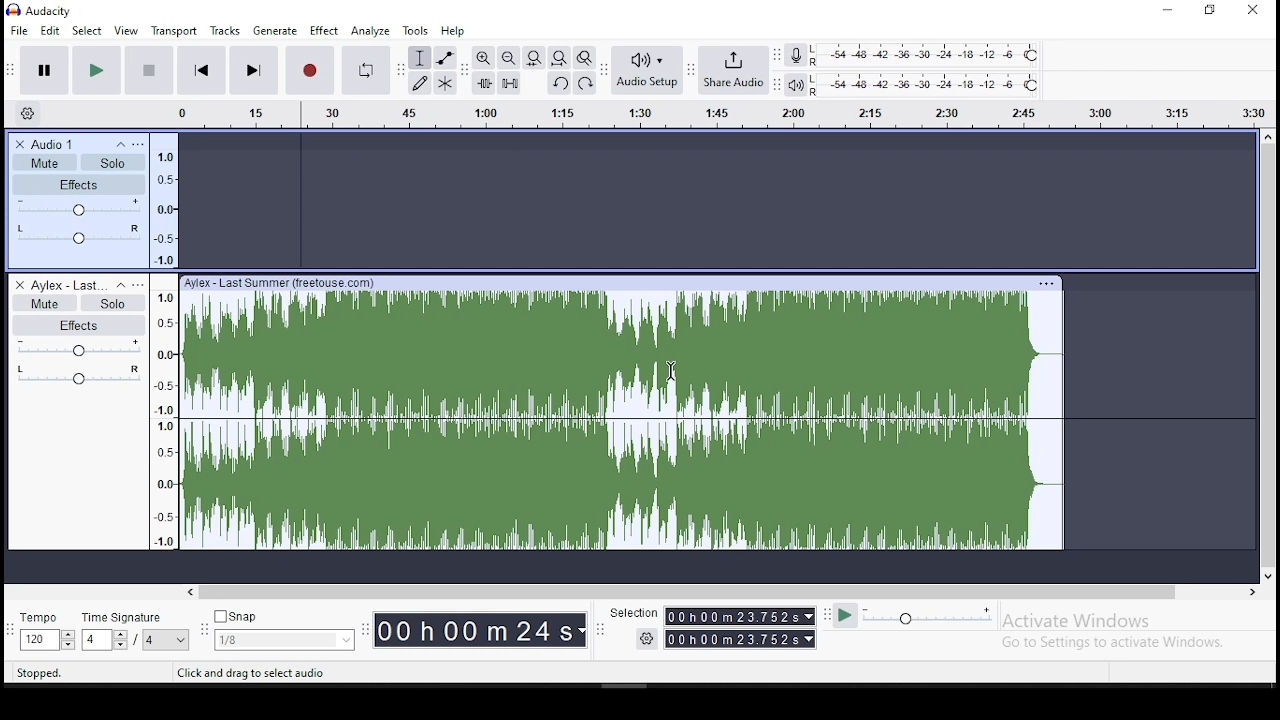 Image resolution: width=1280 pixels, height=720 pixels. Describe the element at coordinates (483, 58) in the screenshot. I see `zoom in` at that location.